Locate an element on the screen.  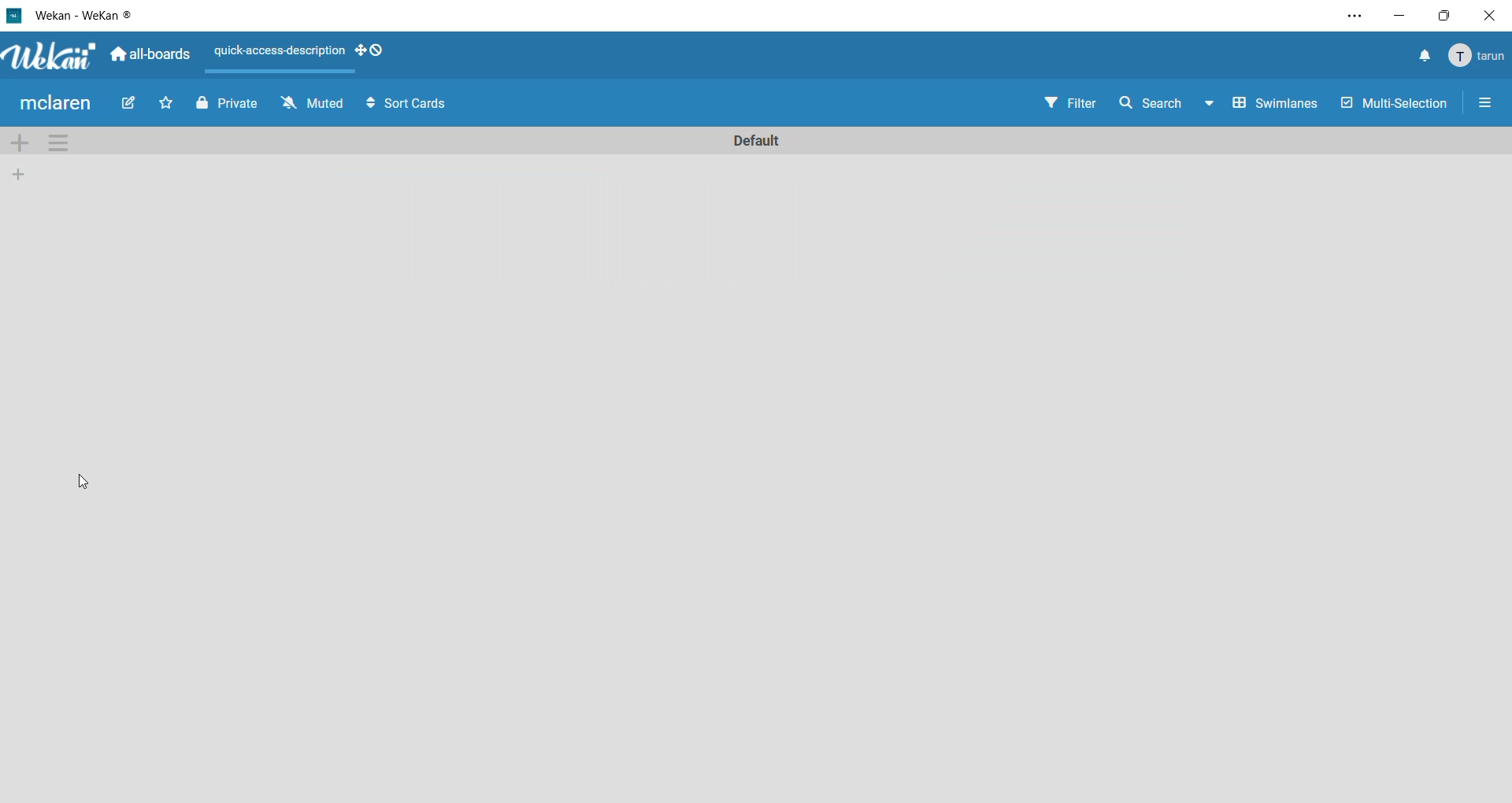
edit is located at coordinates (130, 105).